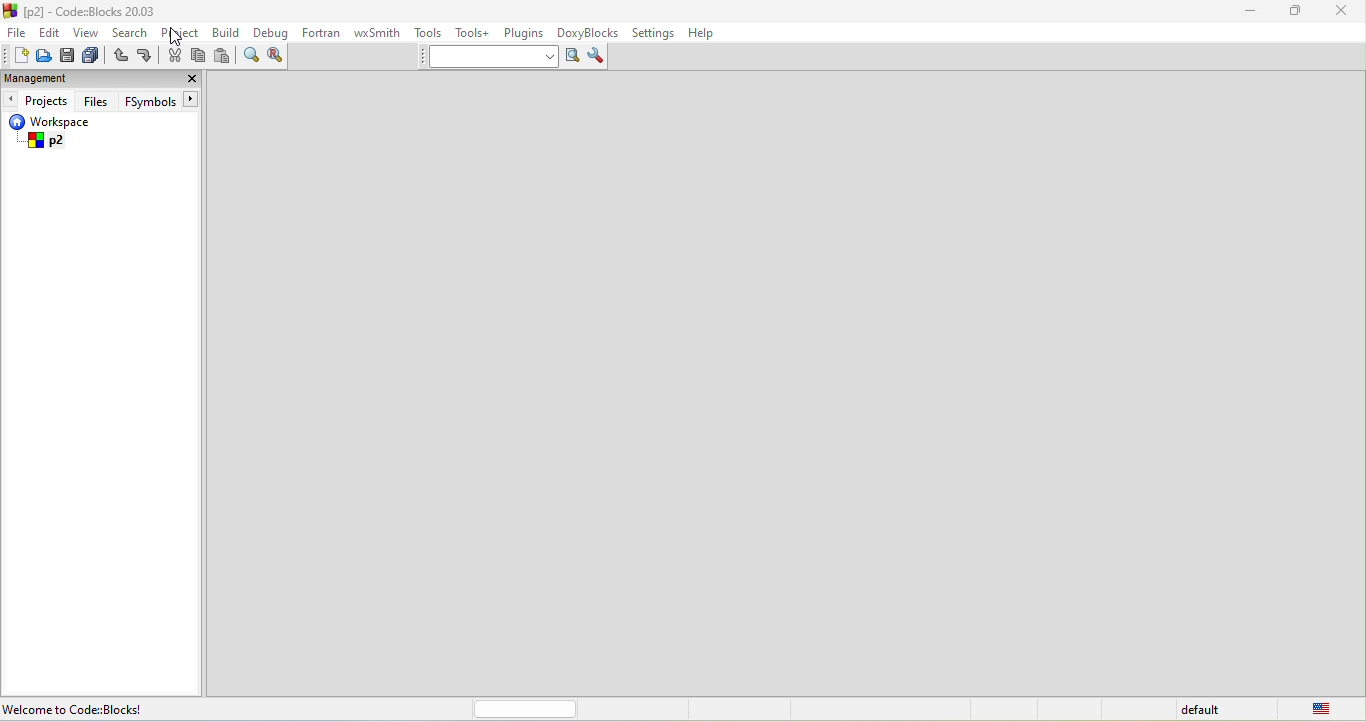  What do you see at coordinates (1296, 15) in the screenshot?
I see `maximize` at bounding box center [1296, 15].